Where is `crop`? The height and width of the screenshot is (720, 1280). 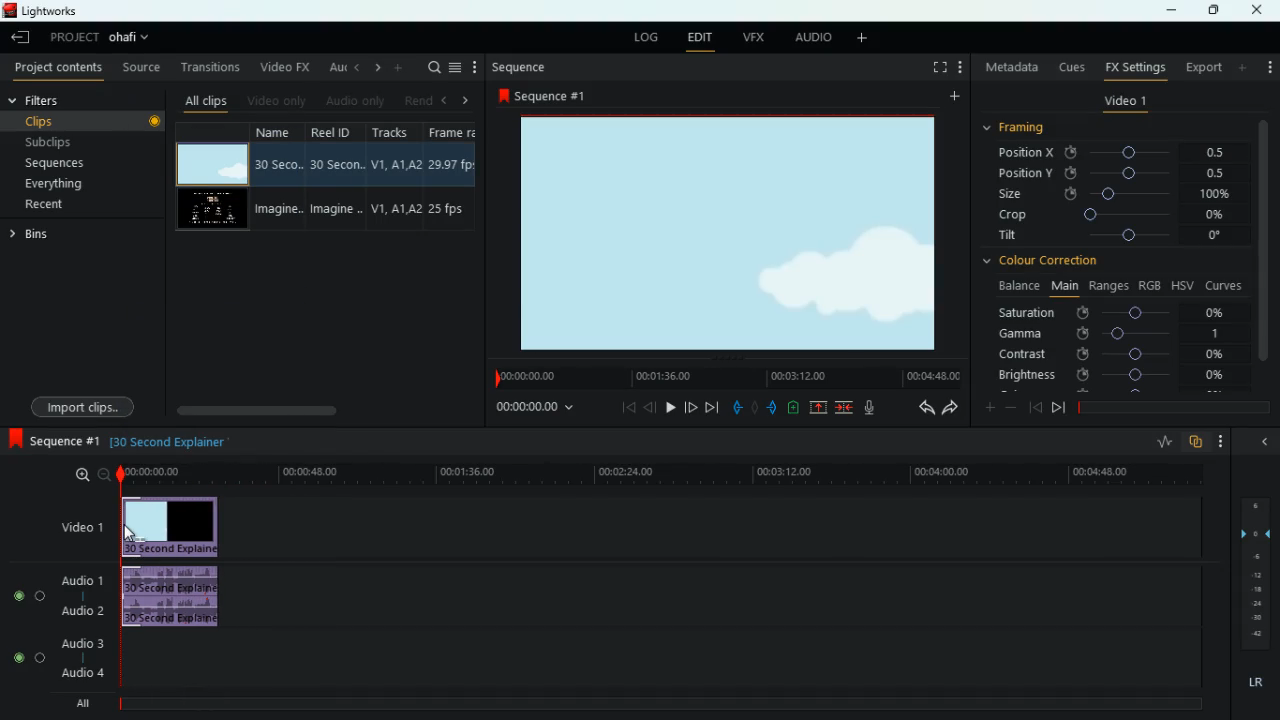
crop is located at coordinates (1118, 216).